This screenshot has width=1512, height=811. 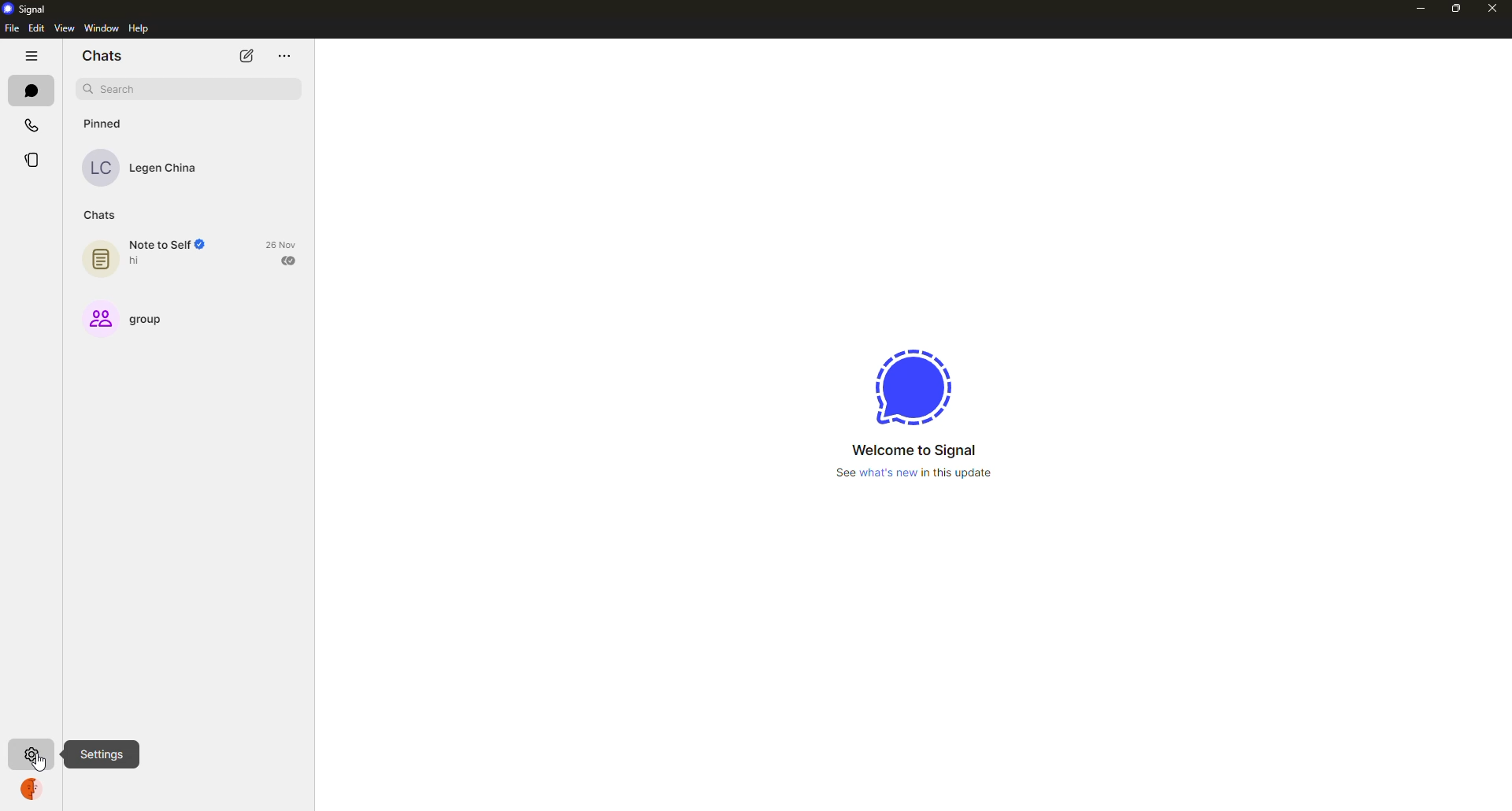 I want to click on new chat, so click(x=246, y=55).